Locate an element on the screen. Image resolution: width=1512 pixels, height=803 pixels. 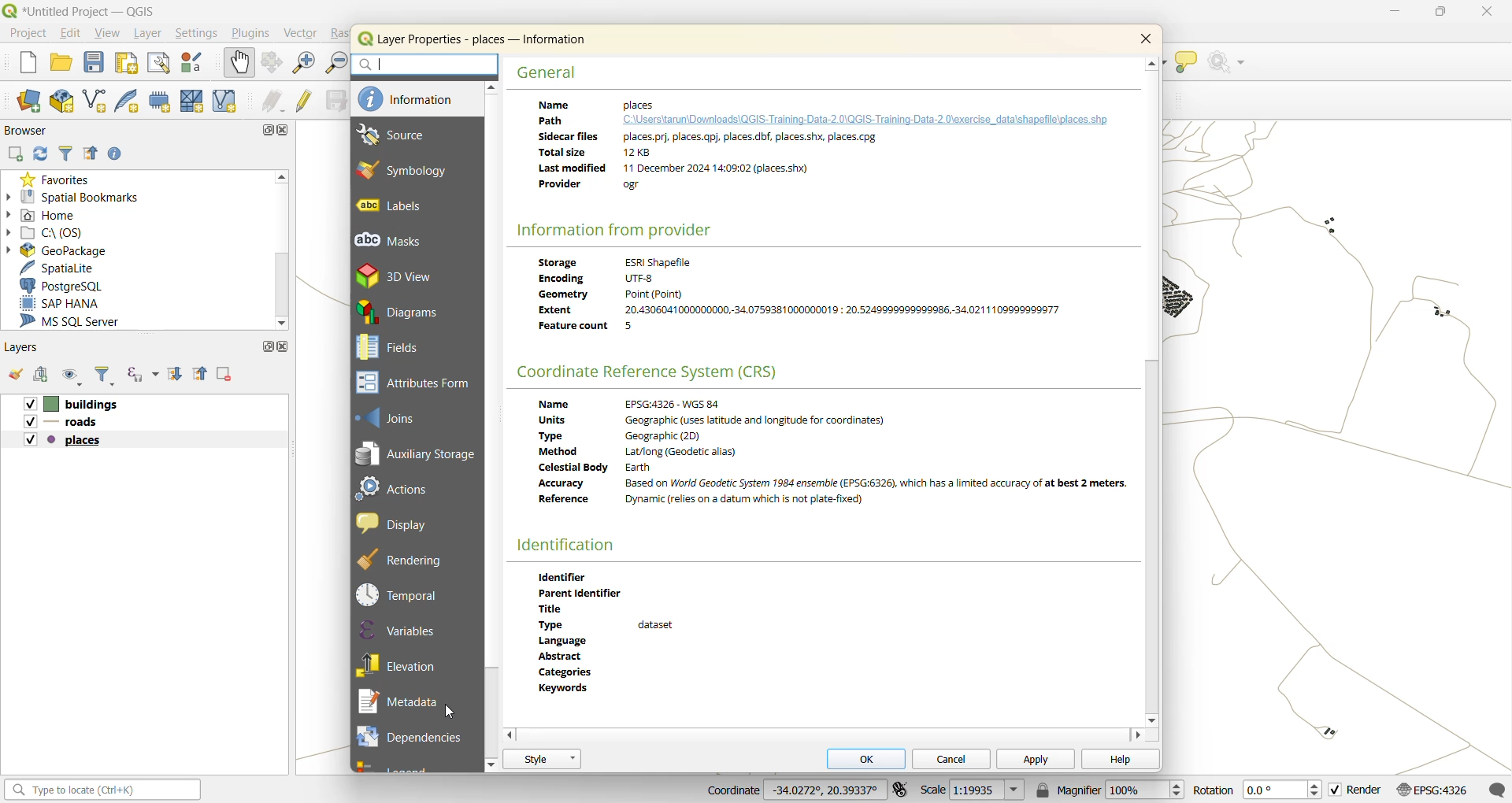
scale is located at coordinates (973, 791).